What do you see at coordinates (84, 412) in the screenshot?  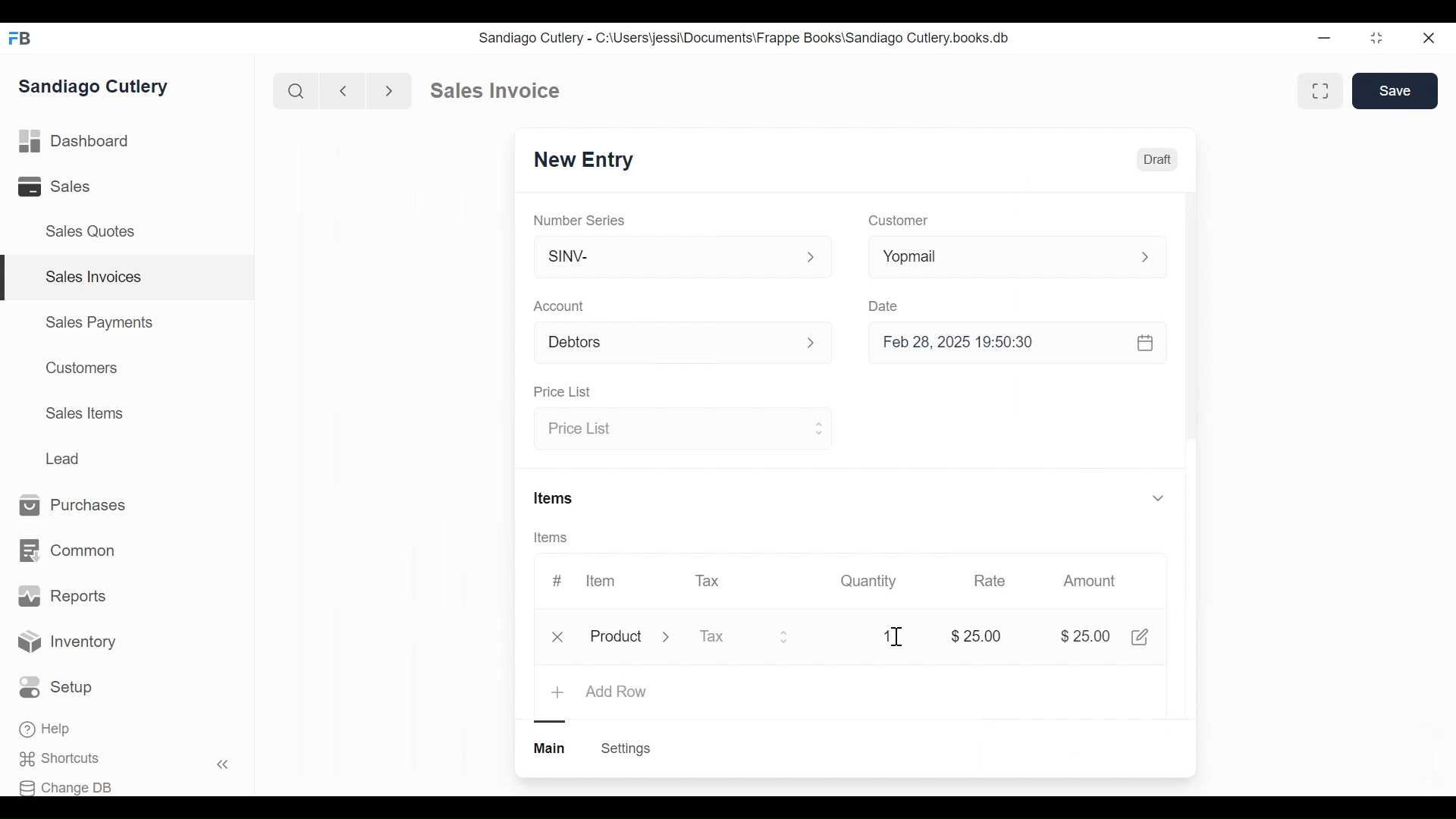 I see `Sales Items` at bounding box center [84, 412].